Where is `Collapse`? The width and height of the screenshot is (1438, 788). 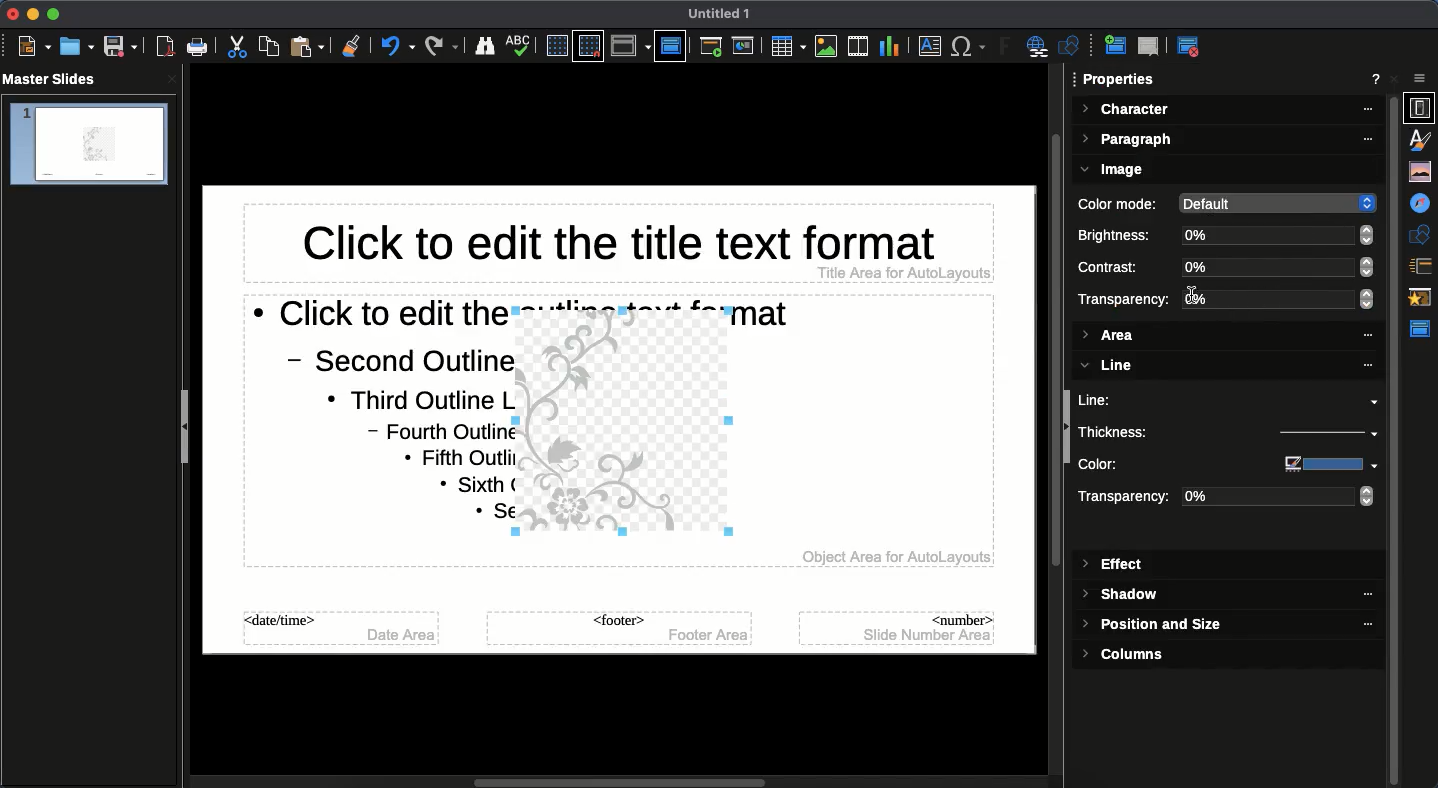 Collapse is located at coordinates (189, 429).